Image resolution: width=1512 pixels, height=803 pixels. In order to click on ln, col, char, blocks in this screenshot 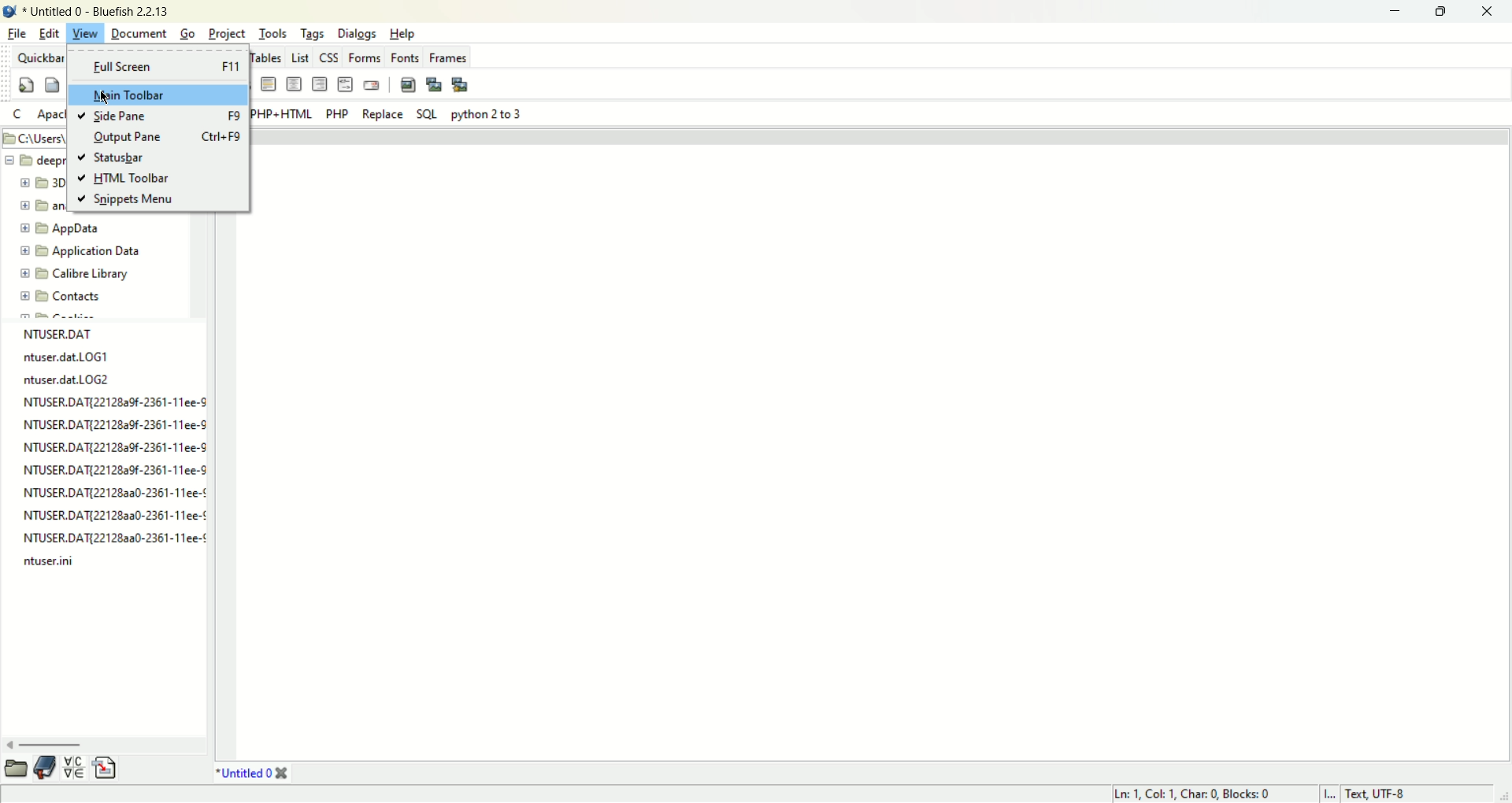, I will do `click(1194, 794)`.